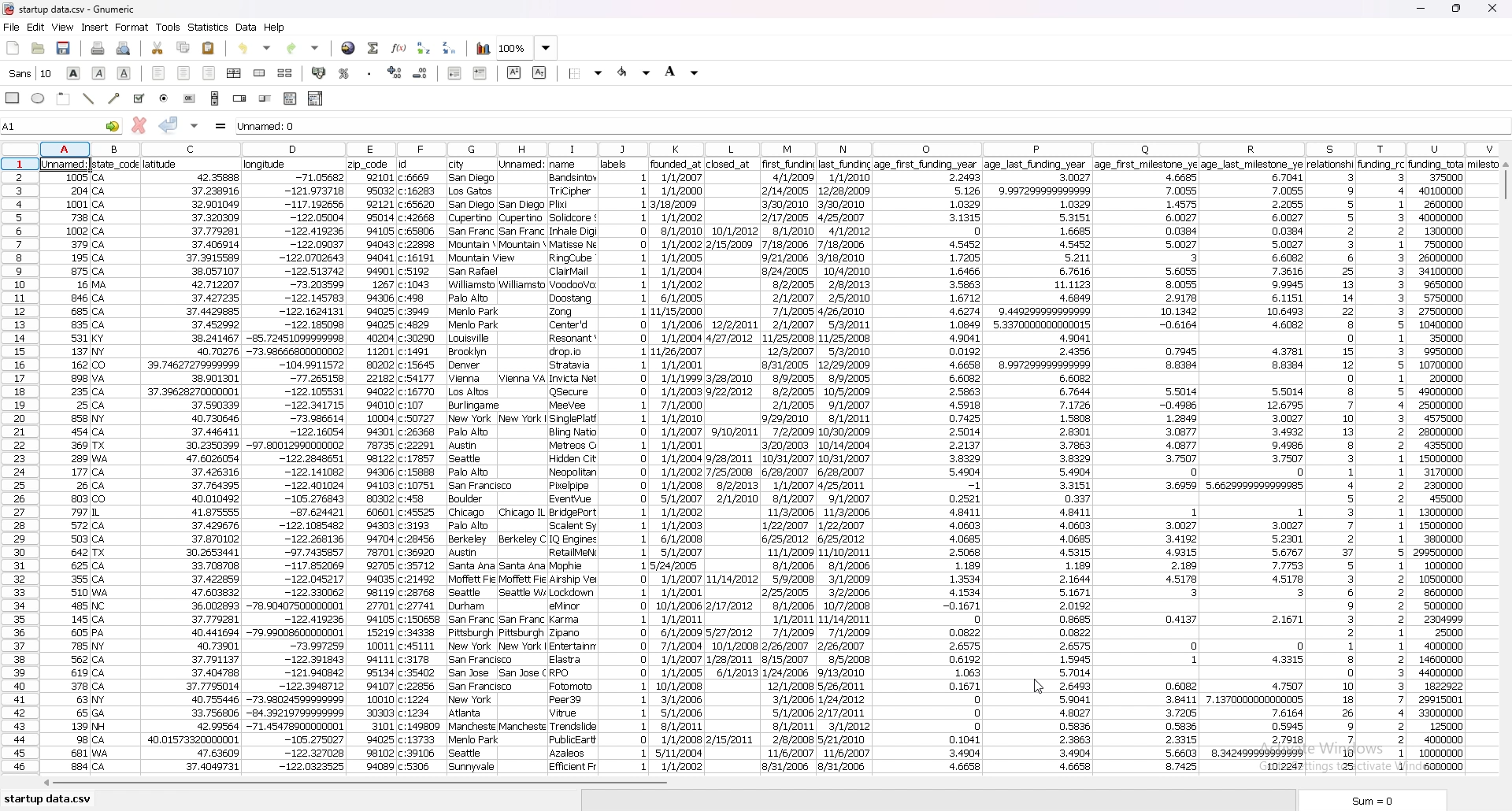 Image resolution: width=1512 pixels, height=811 pixels. What do you see at coordinates (99, 72) in the screenshot?
I see `italic` at bounding box center [99, 72].